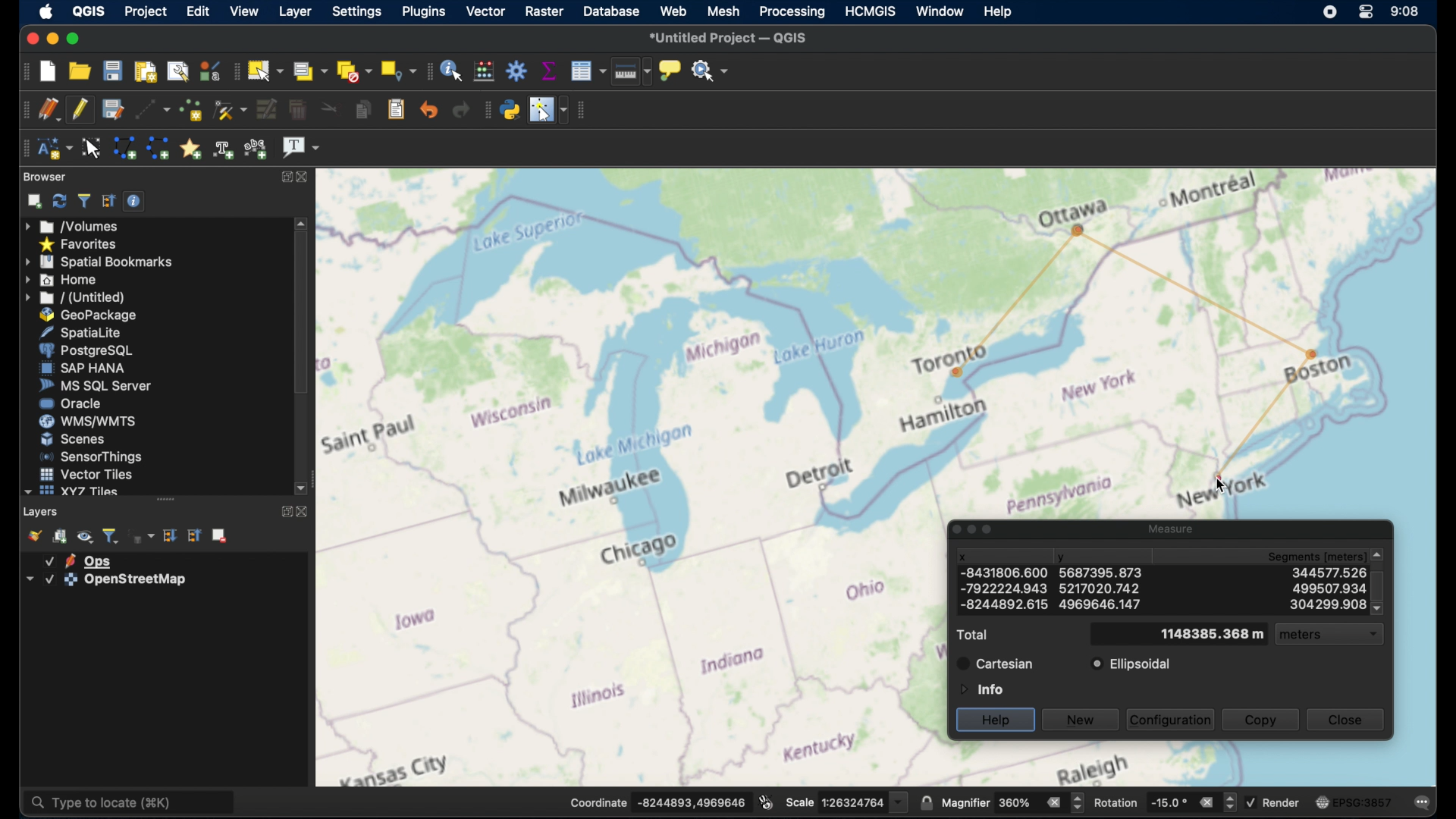 Image resolution: width=1456 pixels, height=819 pixels. I want to click on close, so click(303, 513).